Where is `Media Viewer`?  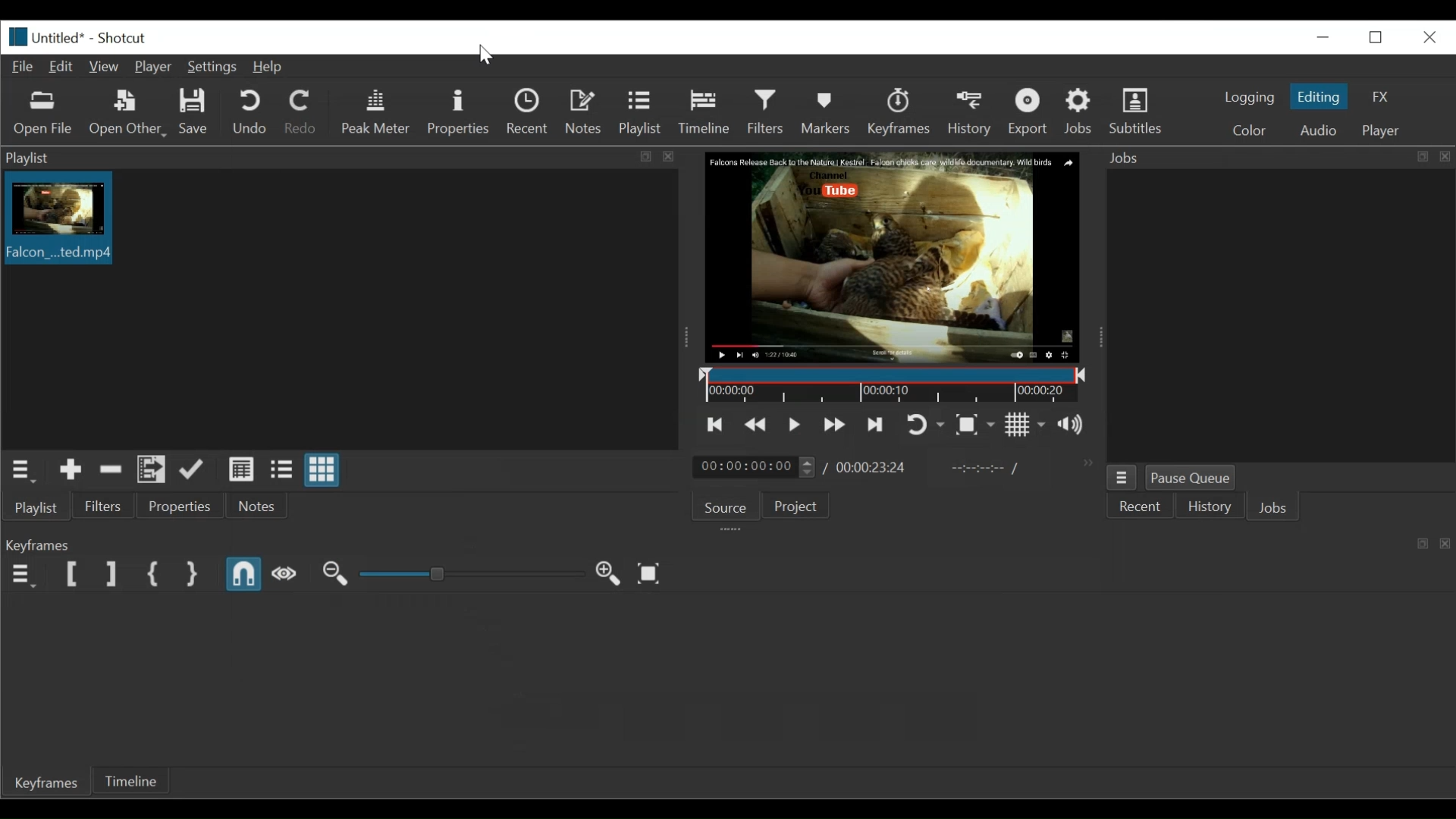 Media Viewer is located at coordinates (893, 256).